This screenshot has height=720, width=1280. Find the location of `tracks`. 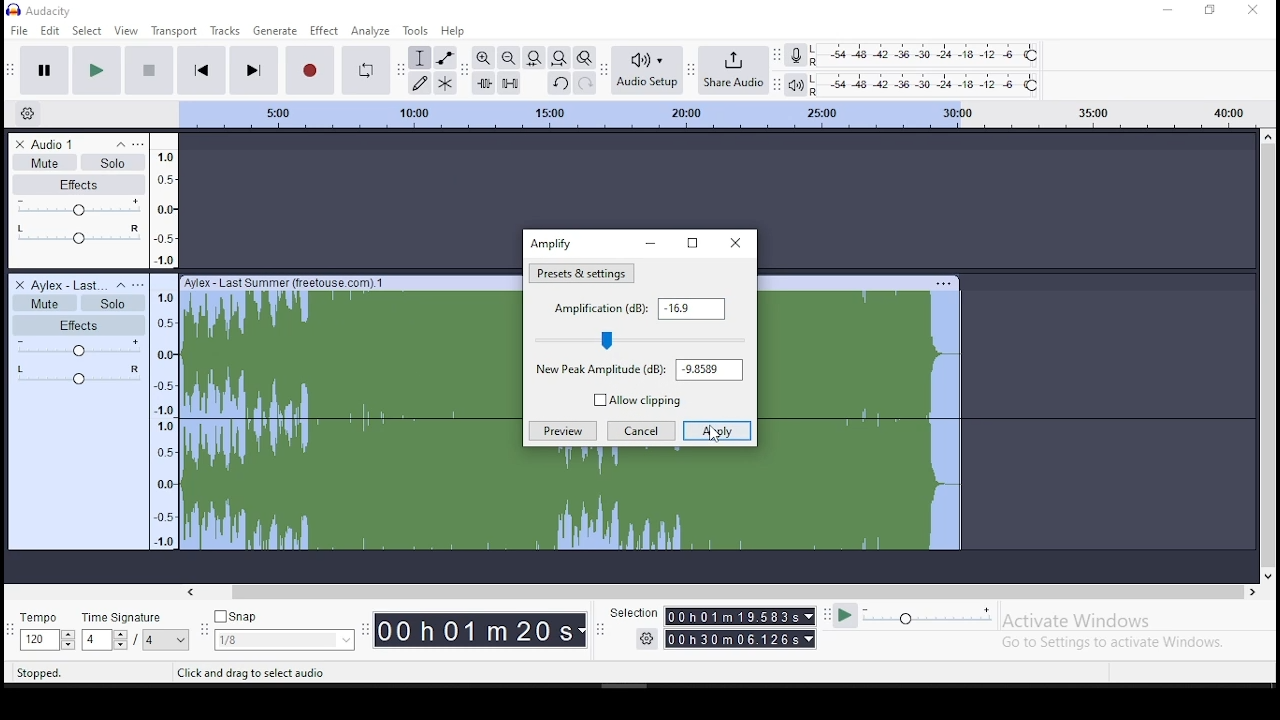

tracks is located at coordinates (226, 30).